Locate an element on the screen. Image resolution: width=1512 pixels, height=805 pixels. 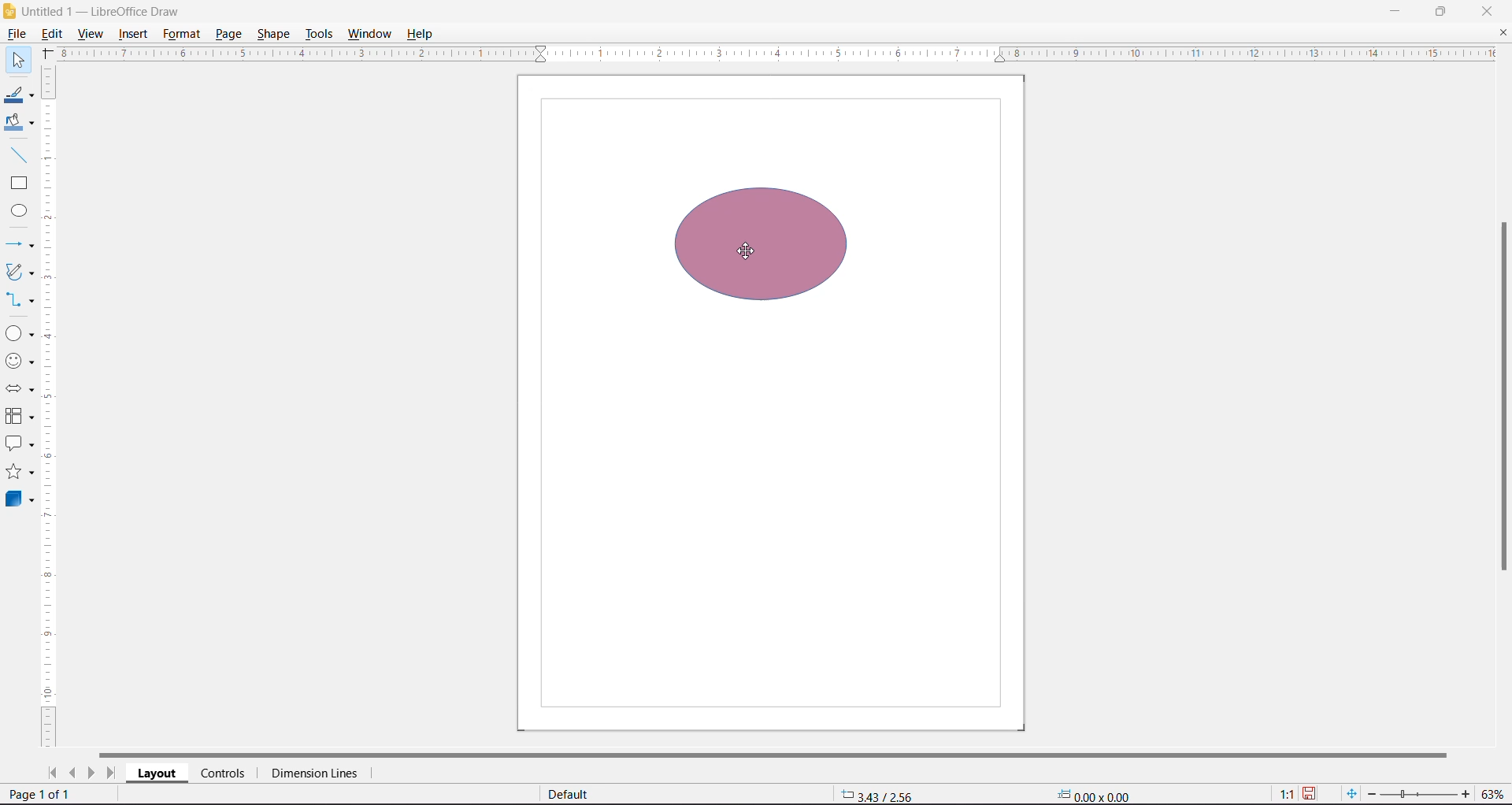
Edit is located at coordinates (53, 35).